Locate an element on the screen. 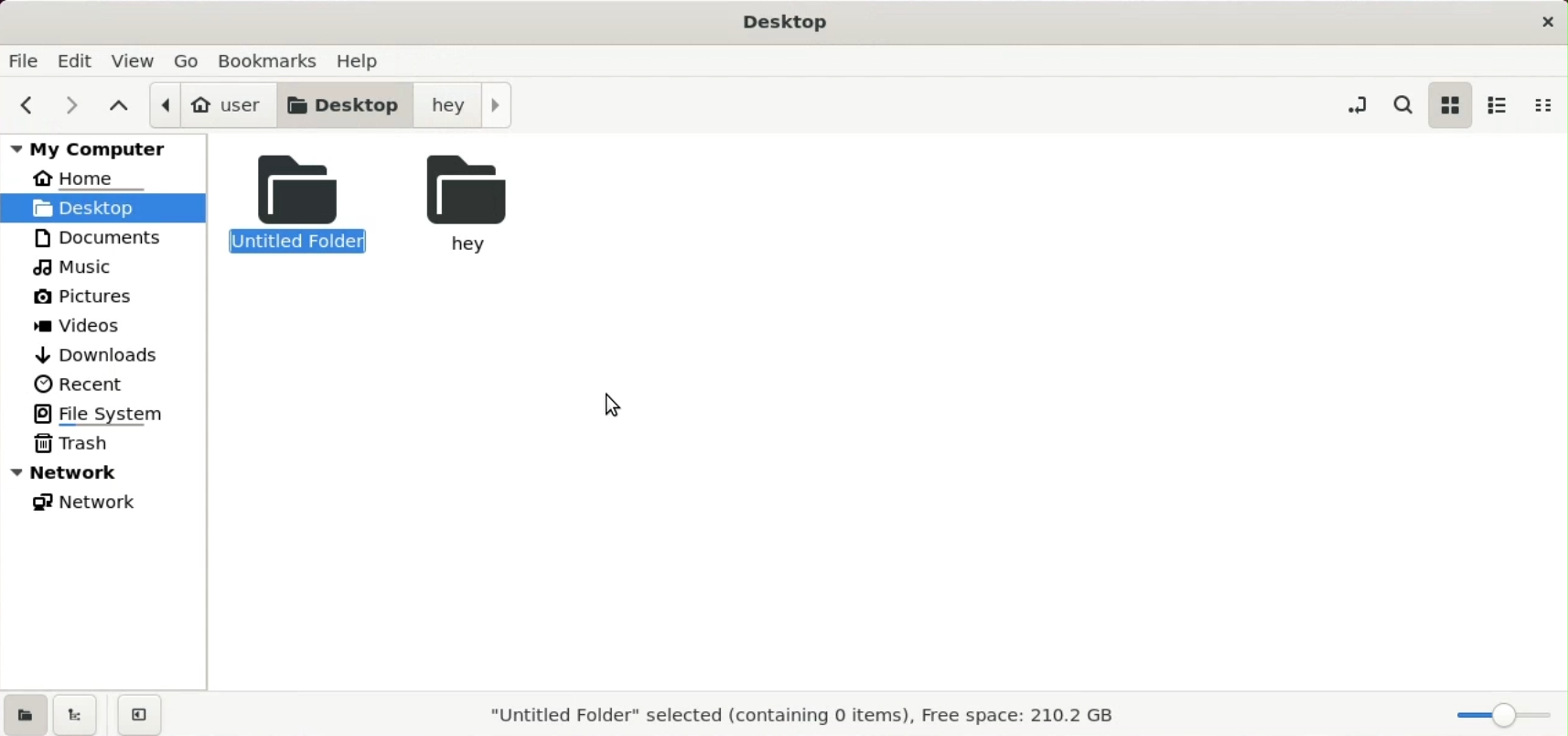 This screenshot has width=1568, height=736. parent folder is located at coordinates (120, 103).